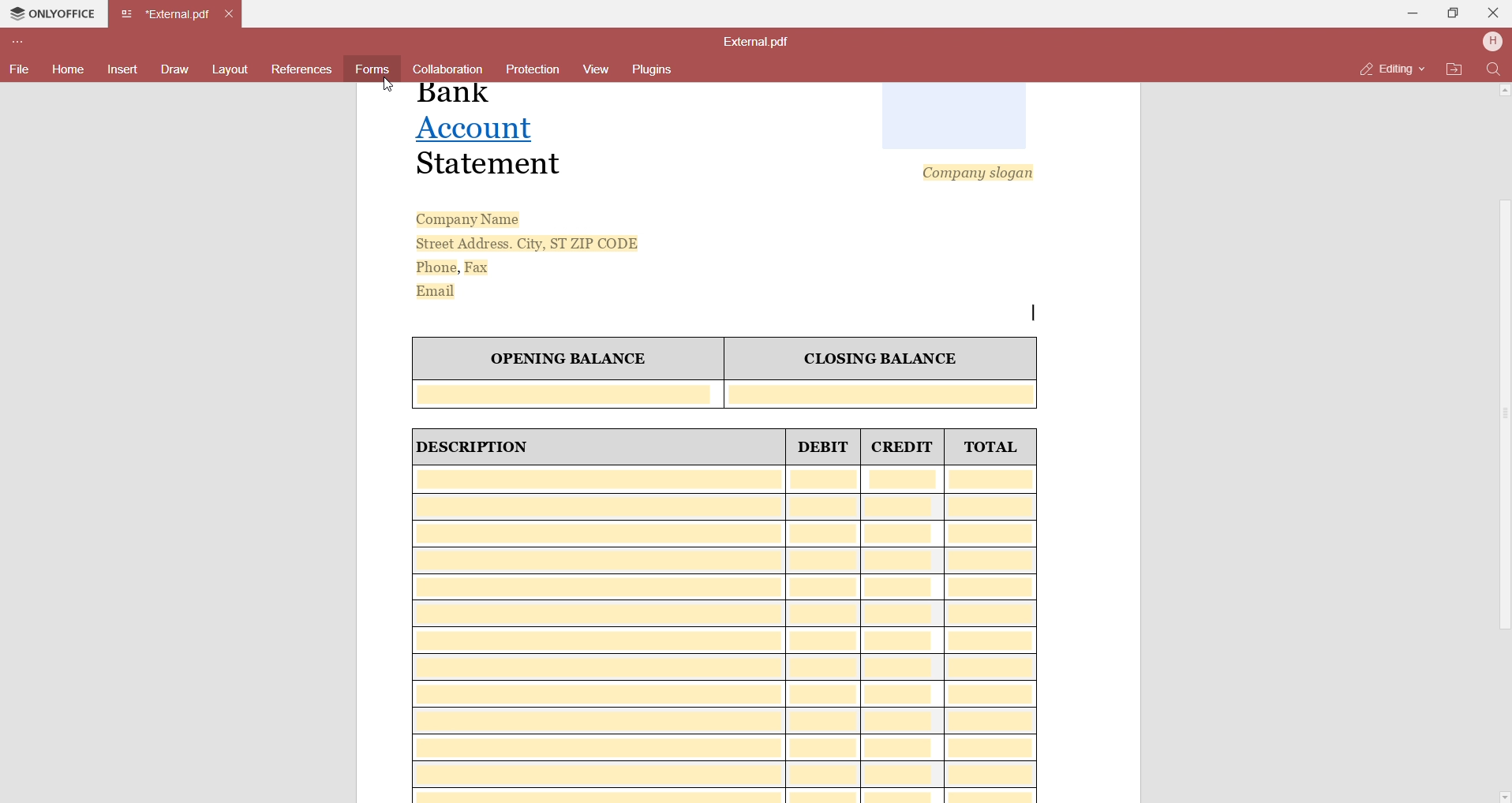 This screenshot has width=1512, height=803. I want to click on Insert, so click(122, 68).